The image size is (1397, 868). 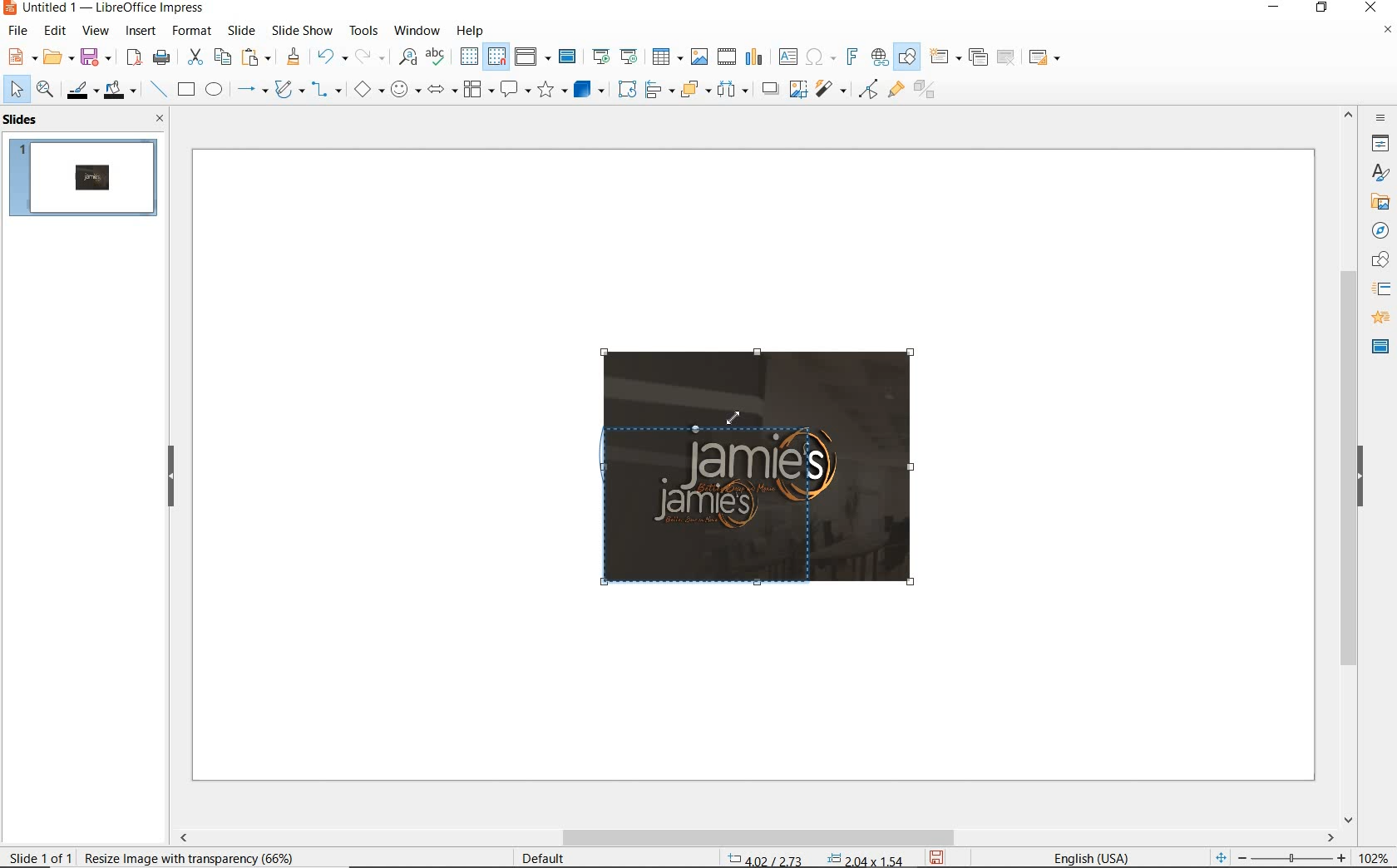 I want to click on print, so click(x=161, y=56).